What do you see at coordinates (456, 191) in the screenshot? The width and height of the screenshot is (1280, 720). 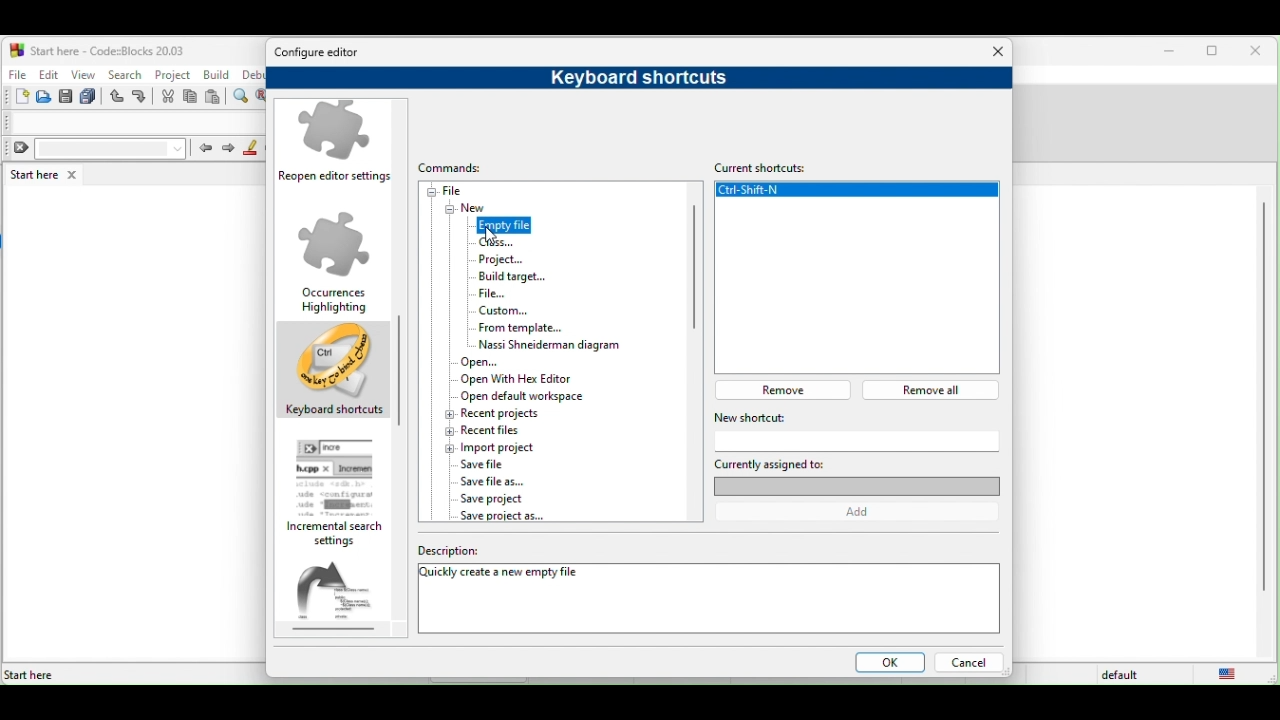 I see `file` at bounding box center [456, 191].